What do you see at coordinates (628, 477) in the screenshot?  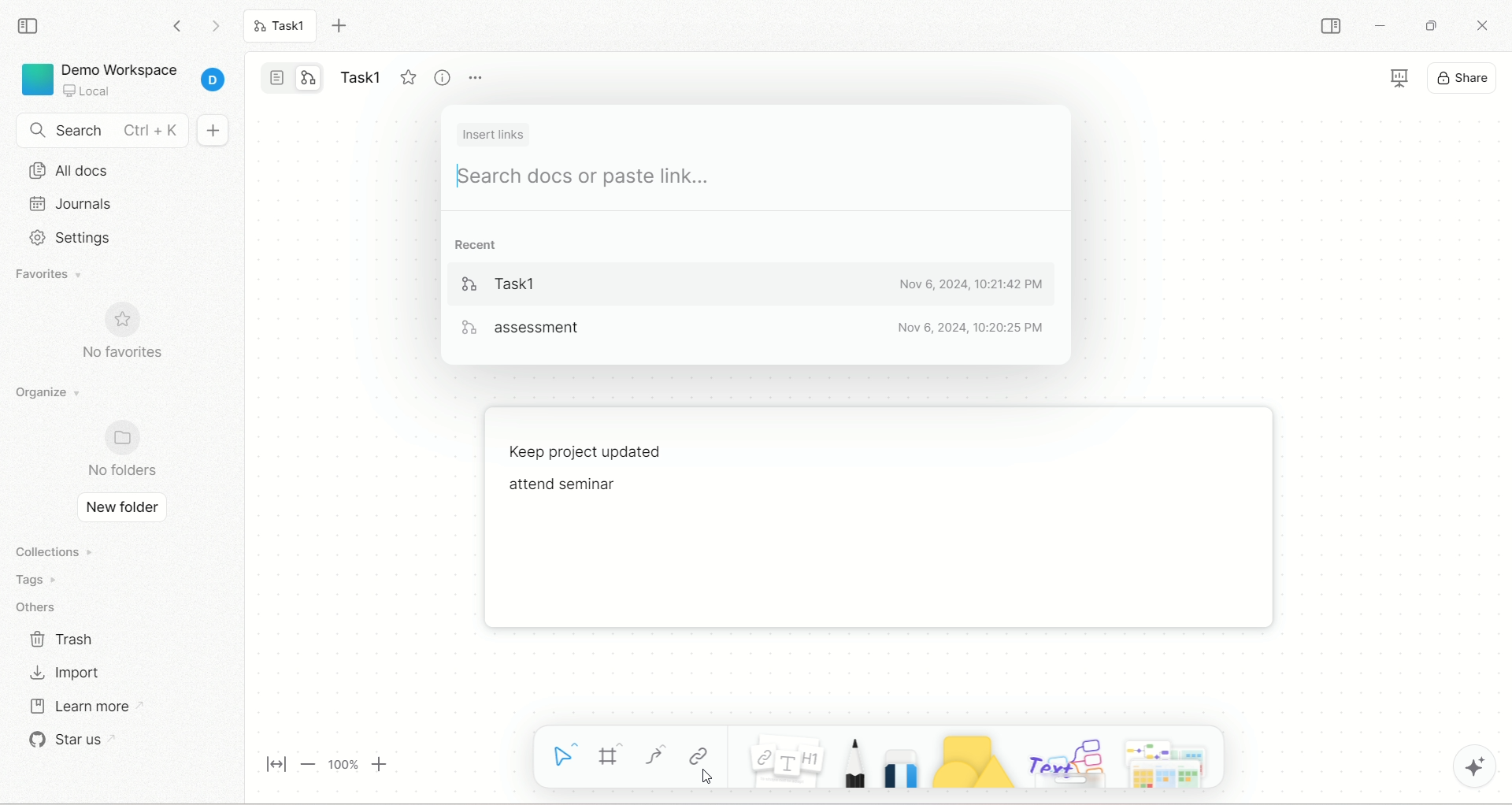 I see `text - Keep project updated attend seminar` at bounding box center [628, 477].